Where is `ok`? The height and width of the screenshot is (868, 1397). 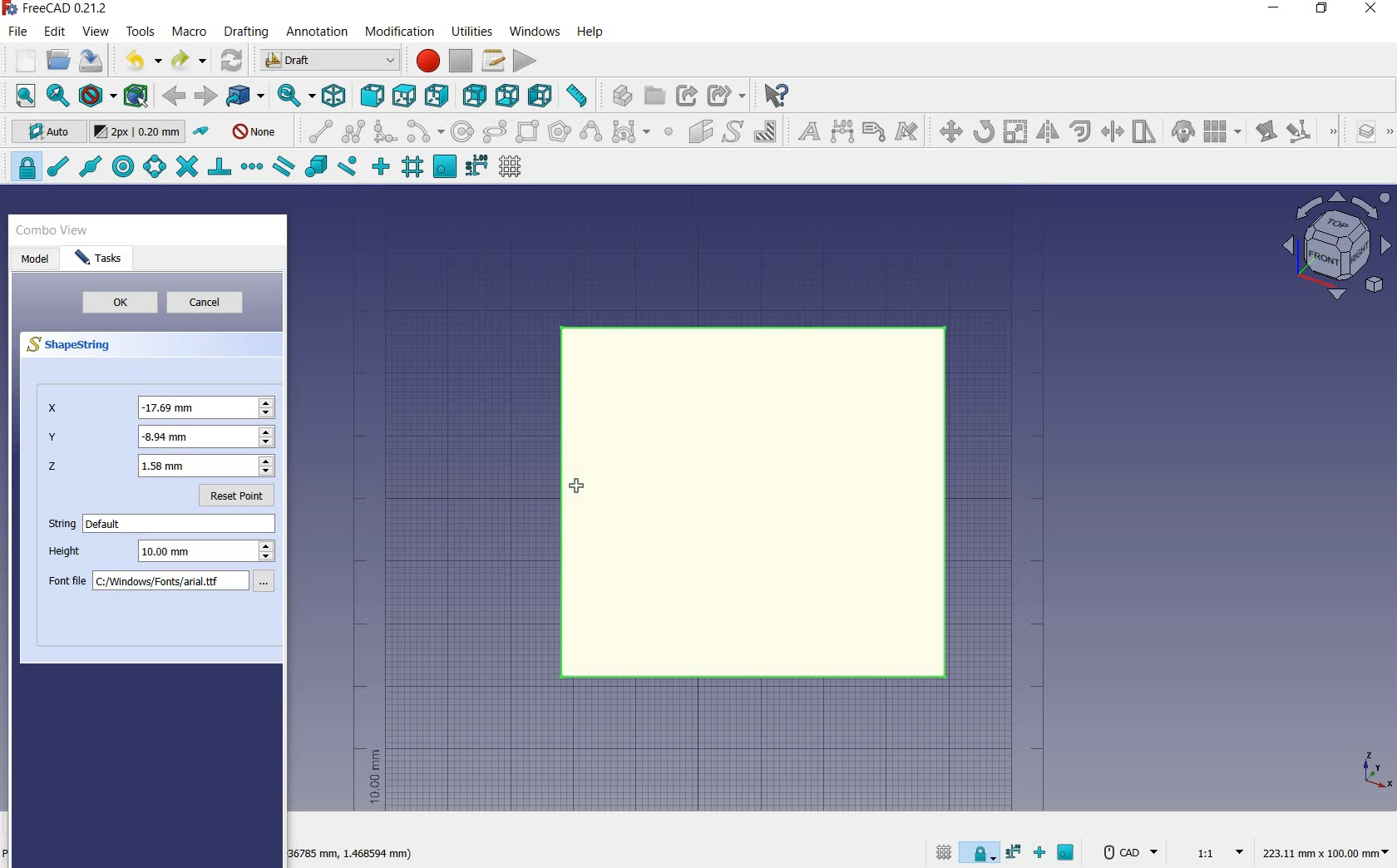
ok is located at coordinates (116, 303).